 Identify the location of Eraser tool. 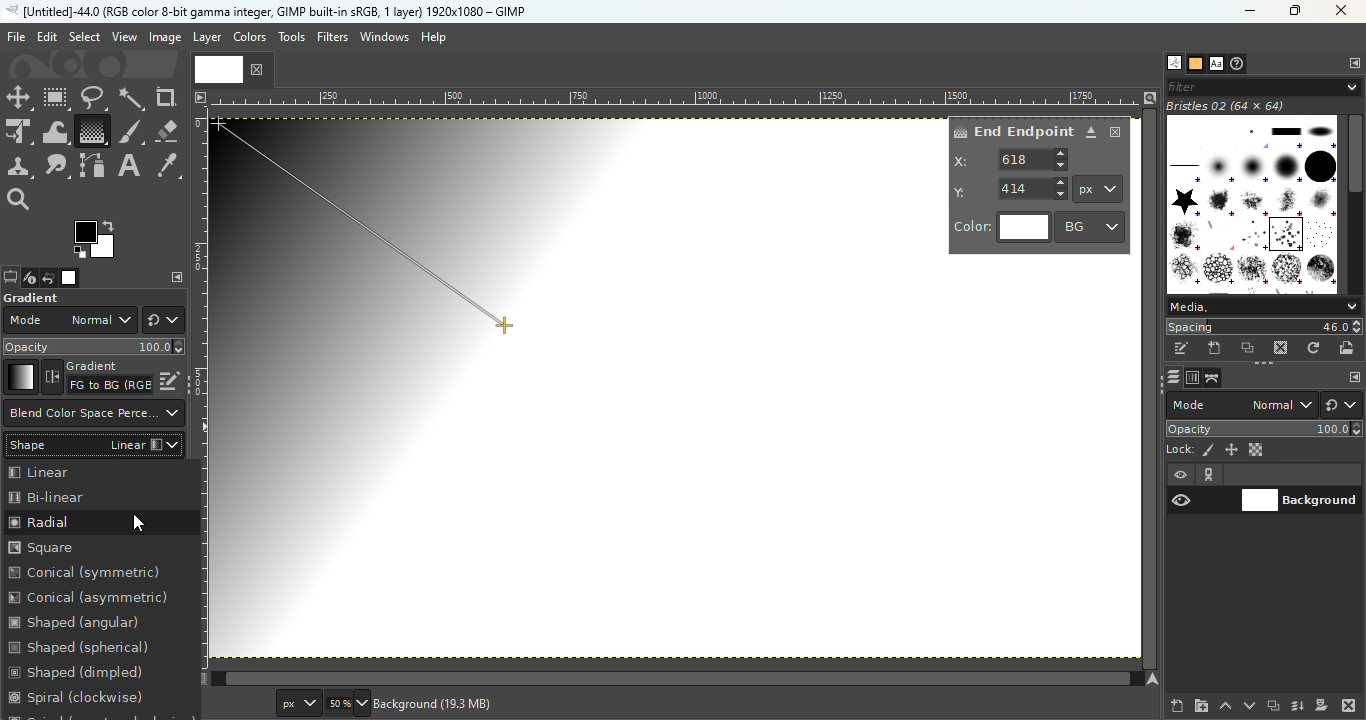
(166, 127).